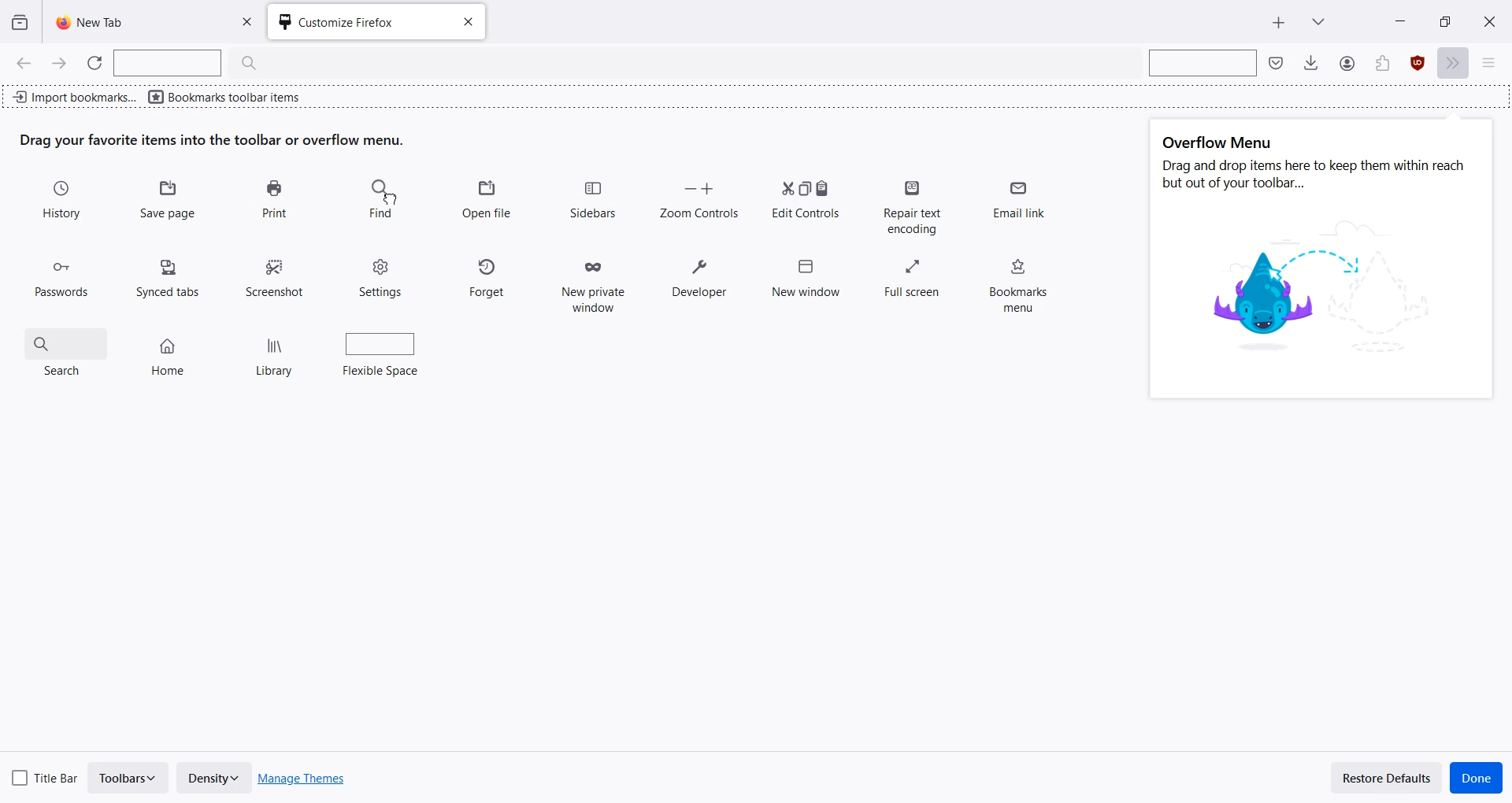 The width and height of the screenshot is (1512, 803). I want to click on New Tab, so click(128, 22).